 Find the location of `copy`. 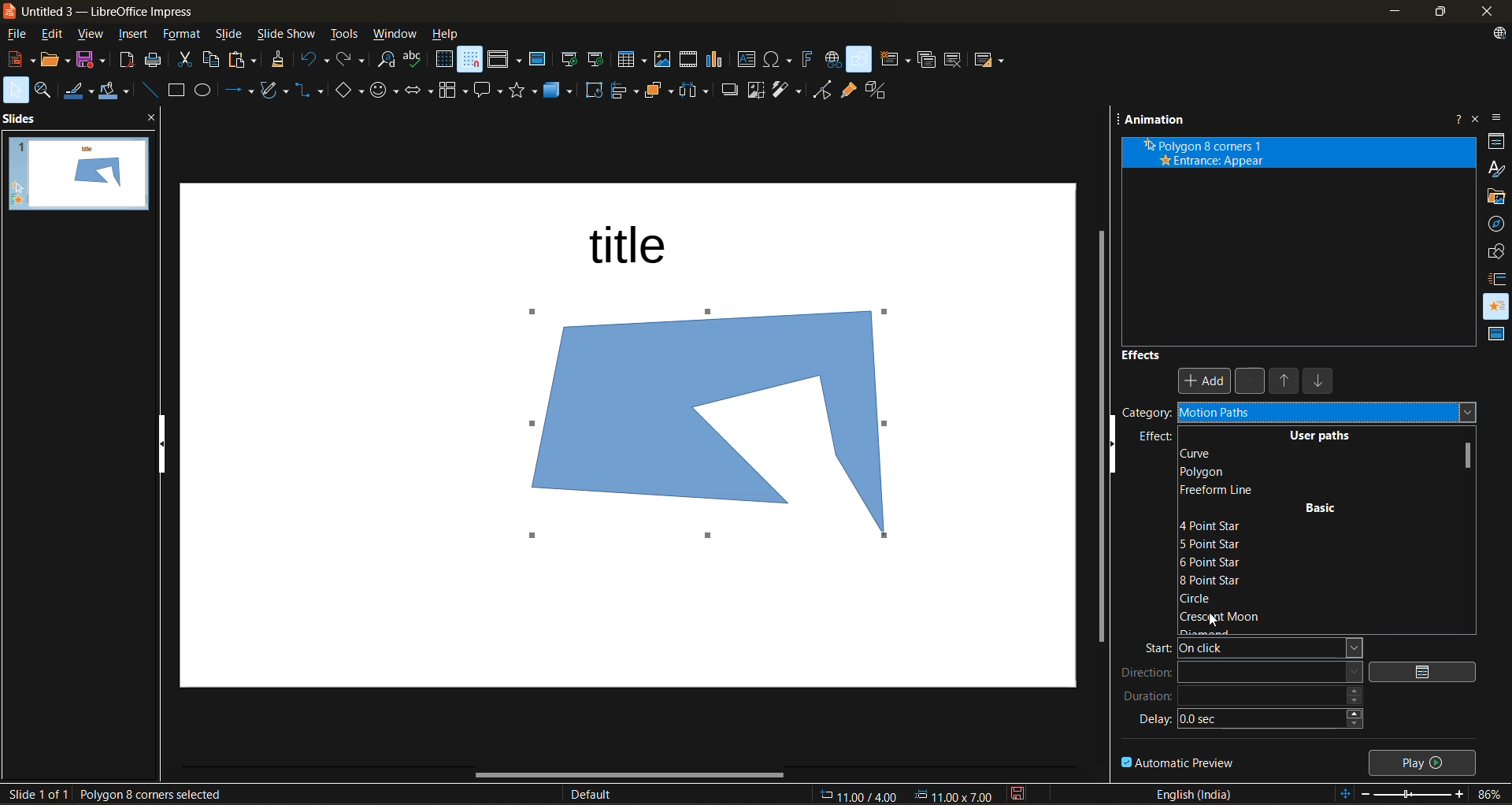

copy is located at coordinates (213, 61).